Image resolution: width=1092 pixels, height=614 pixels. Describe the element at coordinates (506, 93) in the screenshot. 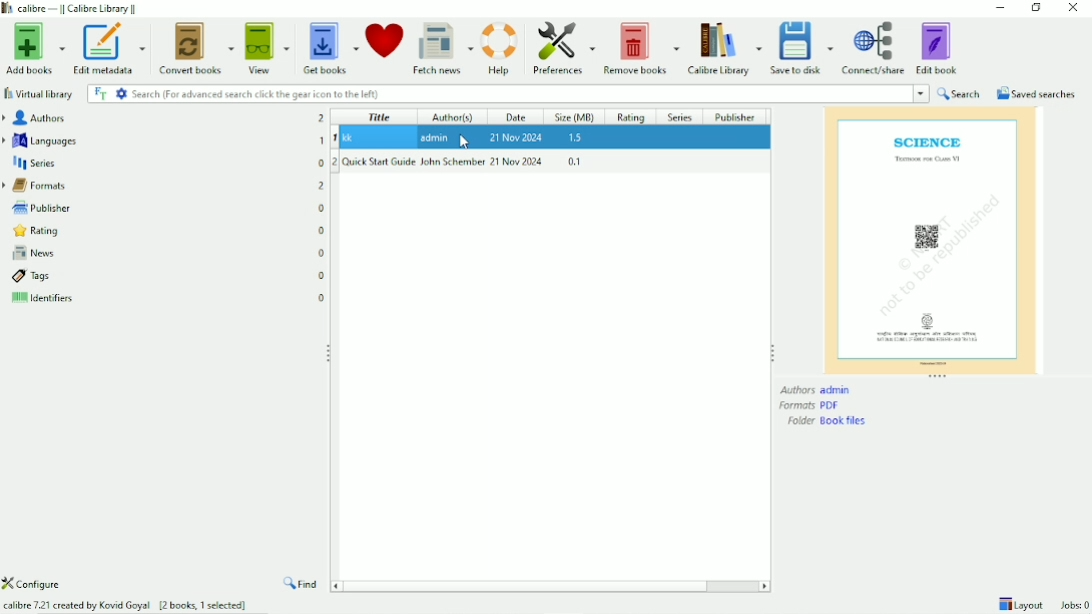

I see `Search` at that location.